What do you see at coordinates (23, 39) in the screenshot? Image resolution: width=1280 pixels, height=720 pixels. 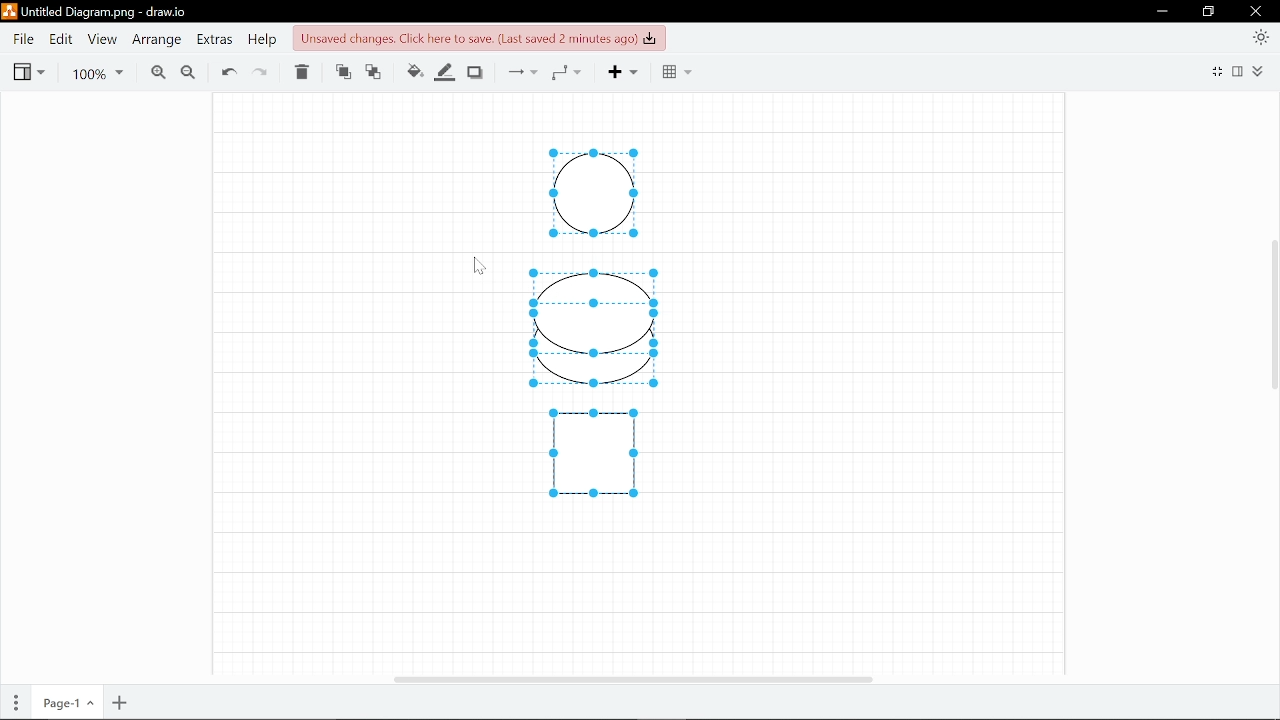 I see `File` at bounding box center [23, 39].